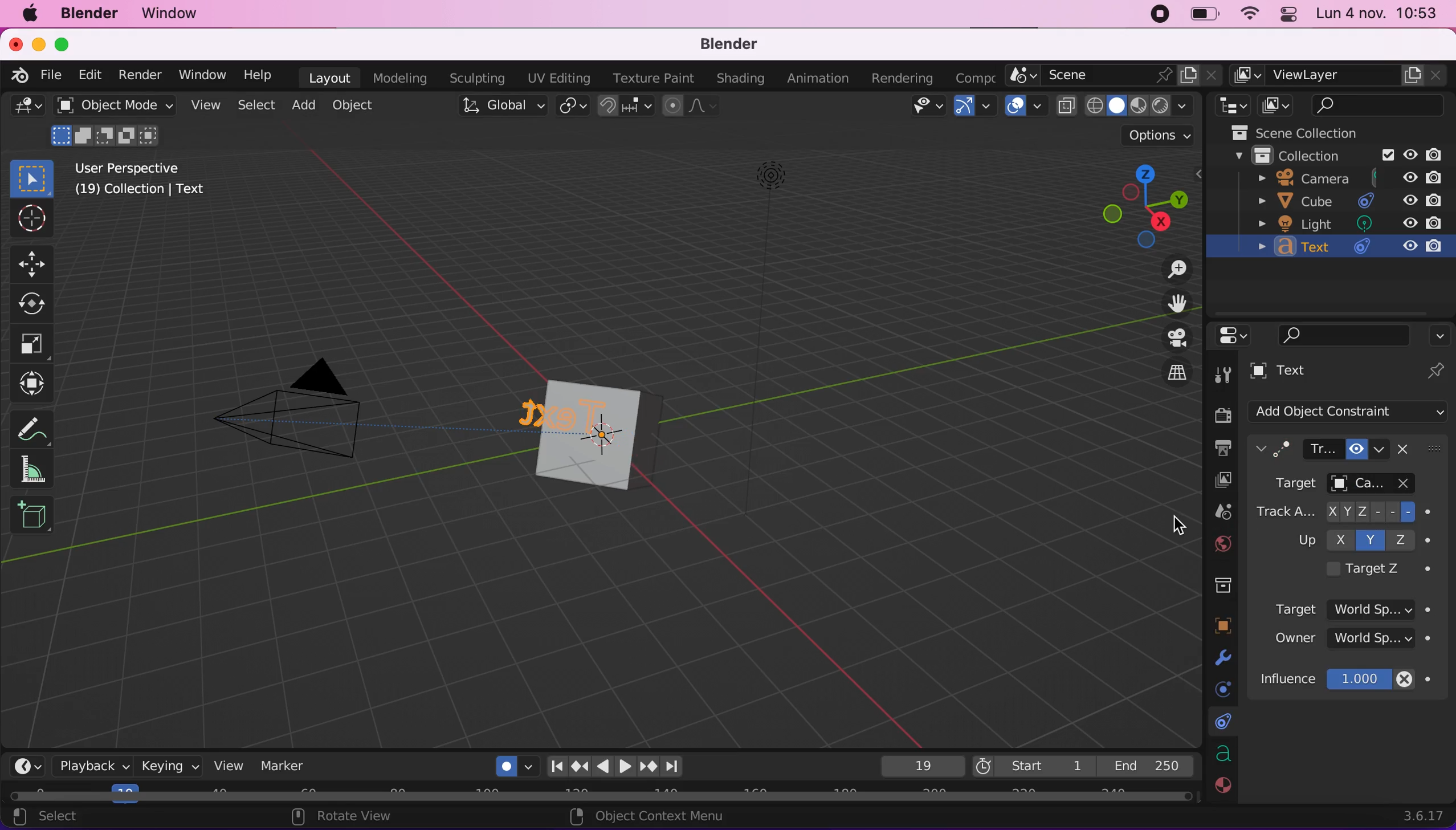 The image size is (1456, 830). Describe the element at coordinates (920, 107) in the screenshot. I see `view object types` at that location.